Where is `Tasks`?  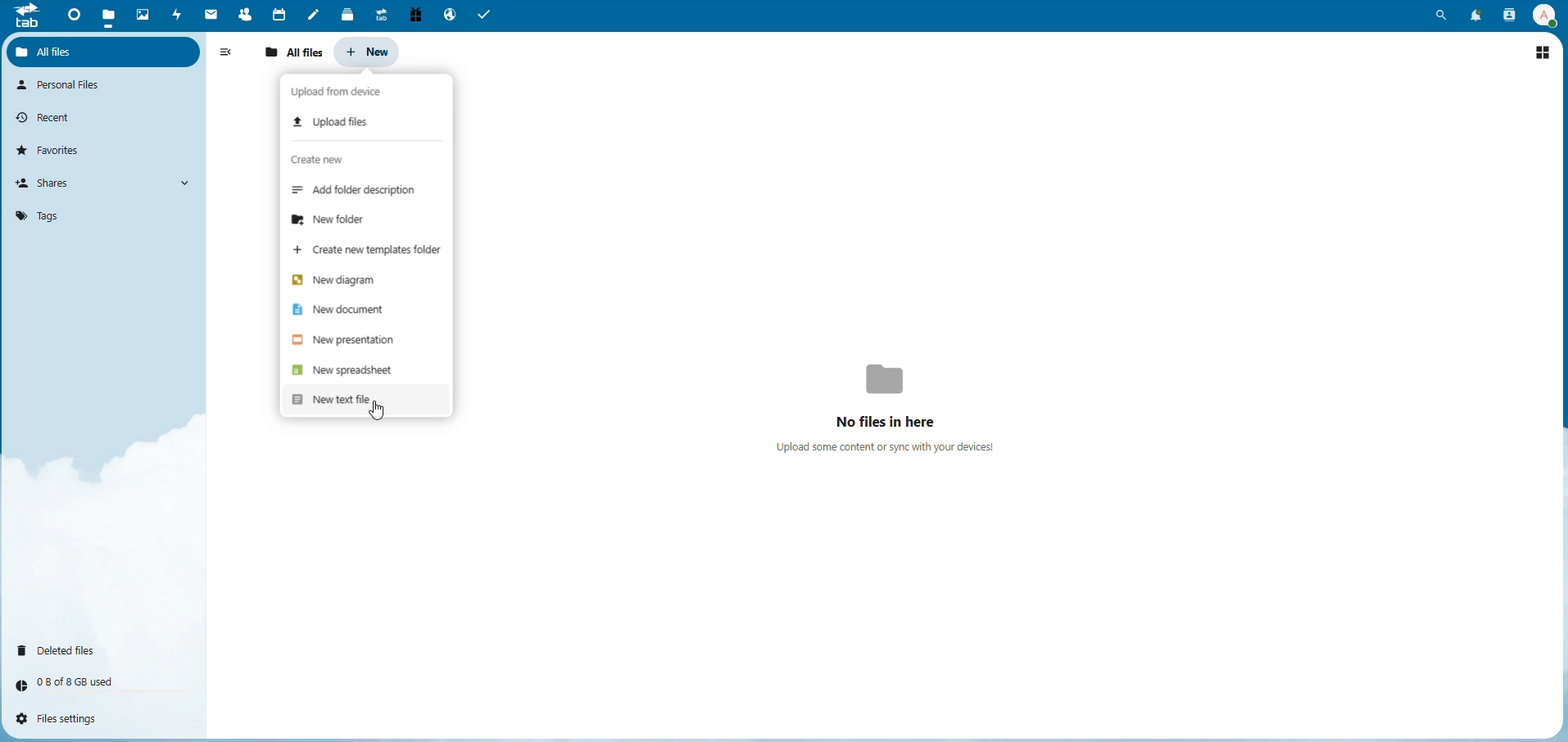
Tasks is located at coordinates (489, 16).